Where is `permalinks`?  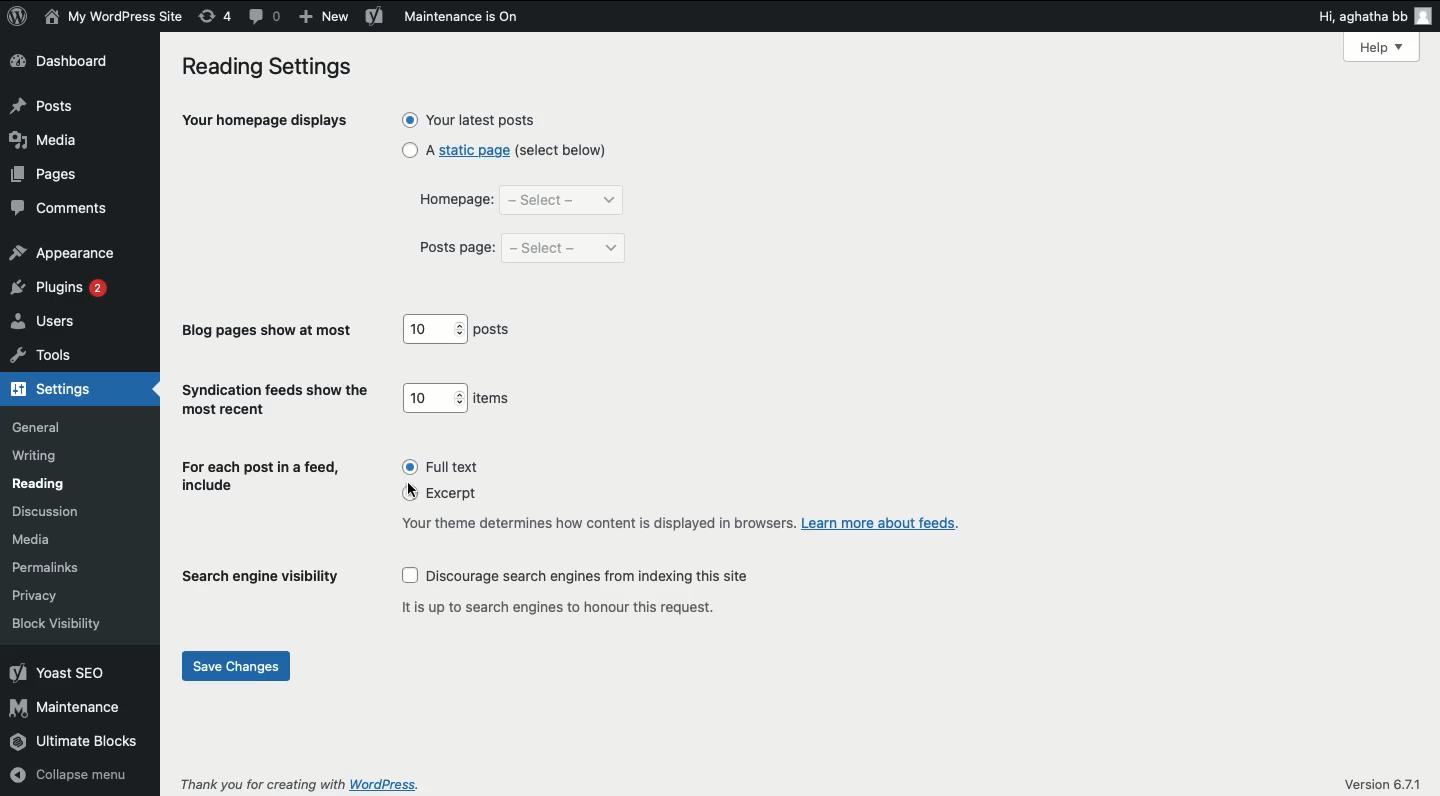 permalinks is located at coordinates (43, 569).